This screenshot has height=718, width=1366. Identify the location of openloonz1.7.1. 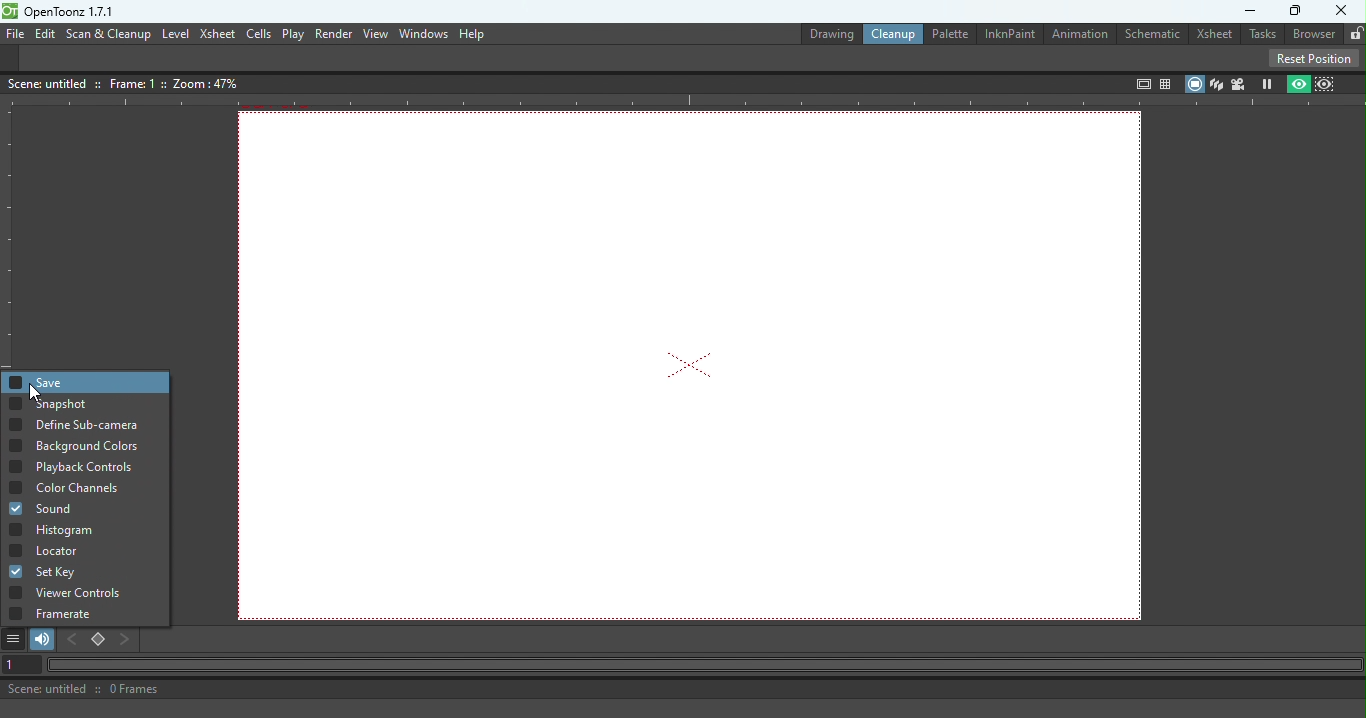
(75, 12).